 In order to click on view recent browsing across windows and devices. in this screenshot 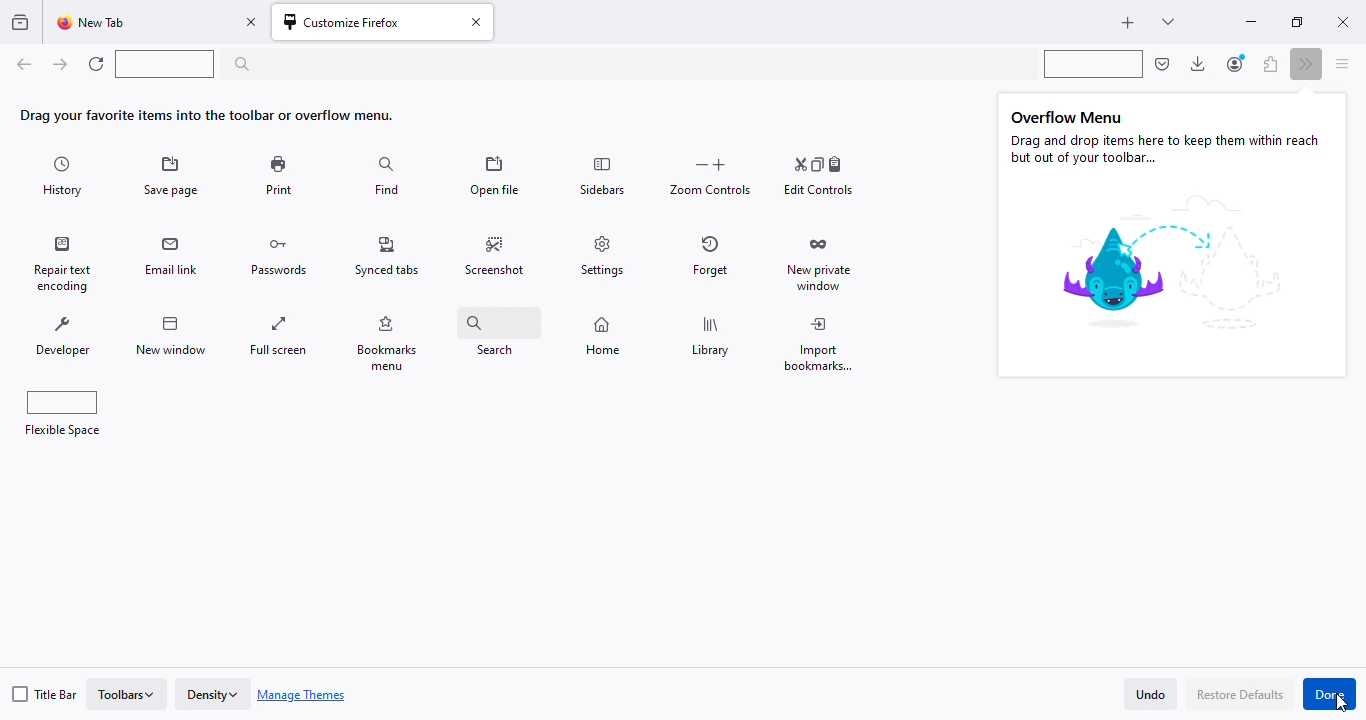, I will do `click(20, 22)`.